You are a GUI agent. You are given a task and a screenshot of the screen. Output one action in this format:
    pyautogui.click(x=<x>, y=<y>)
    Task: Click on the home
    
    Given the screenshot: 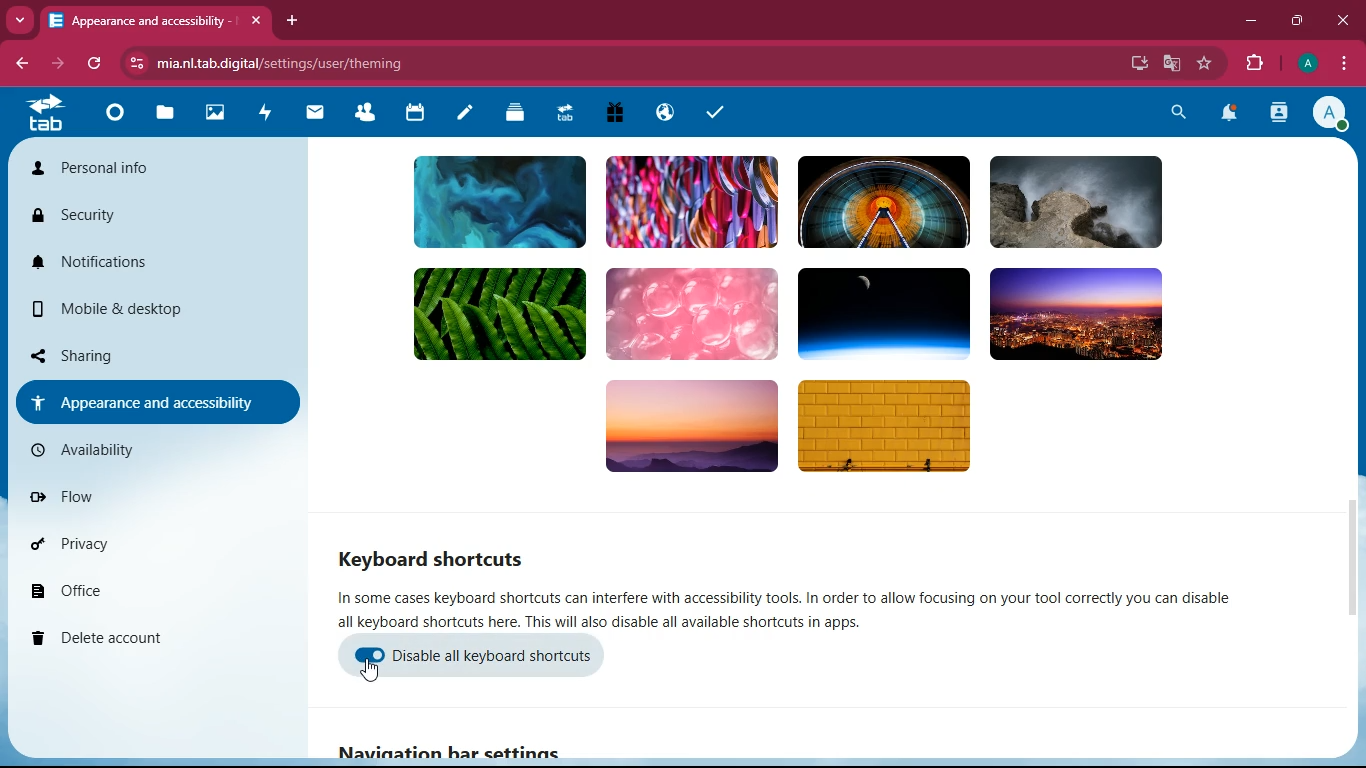 What is the action you would take?
    pyautogui.click(x=115, y=122)
    